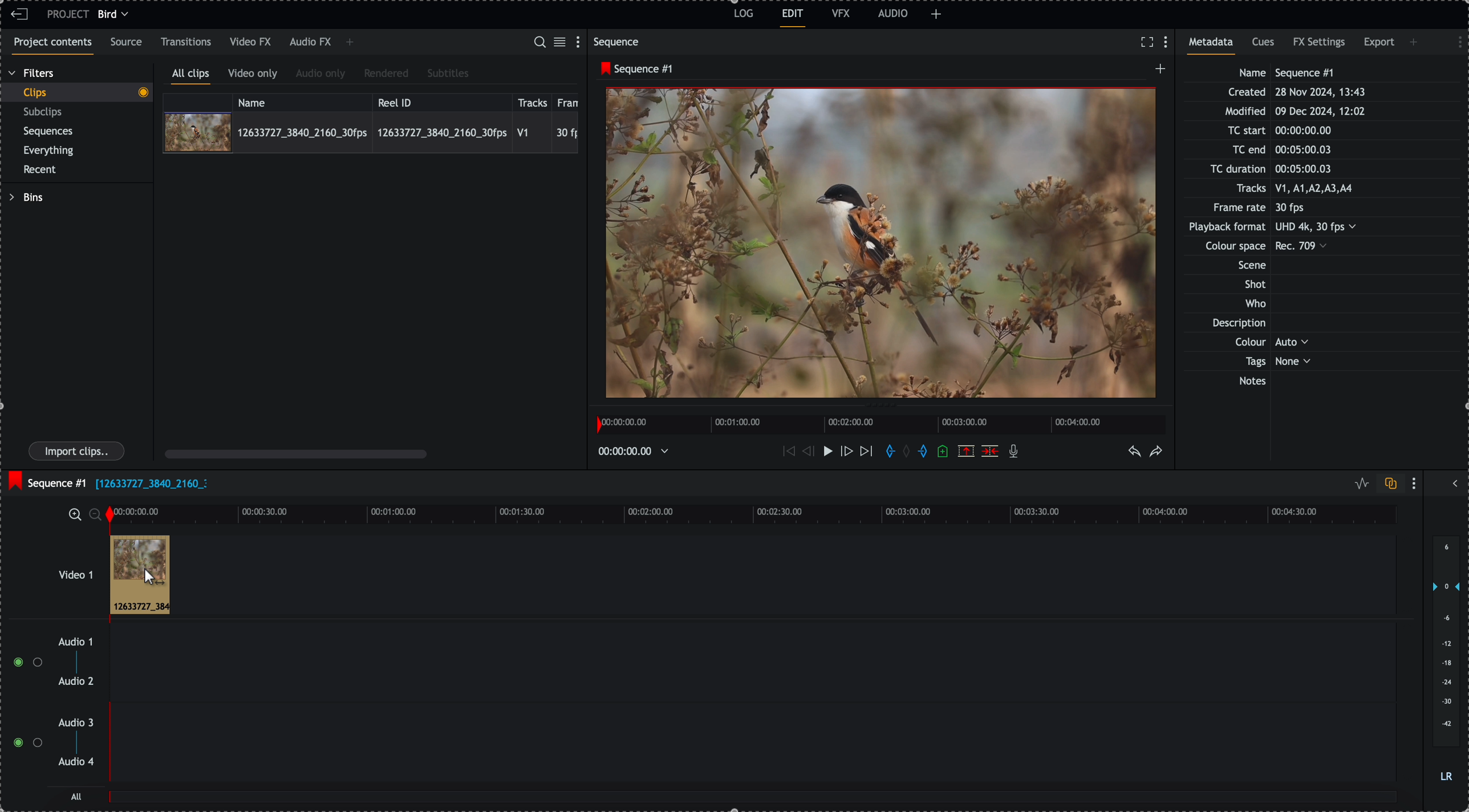 This screenshot has height=812, width=1469. What do you see at coordinates (386, 74) in the screenshot?
I see `rendered` at bounding box center [386, 74].